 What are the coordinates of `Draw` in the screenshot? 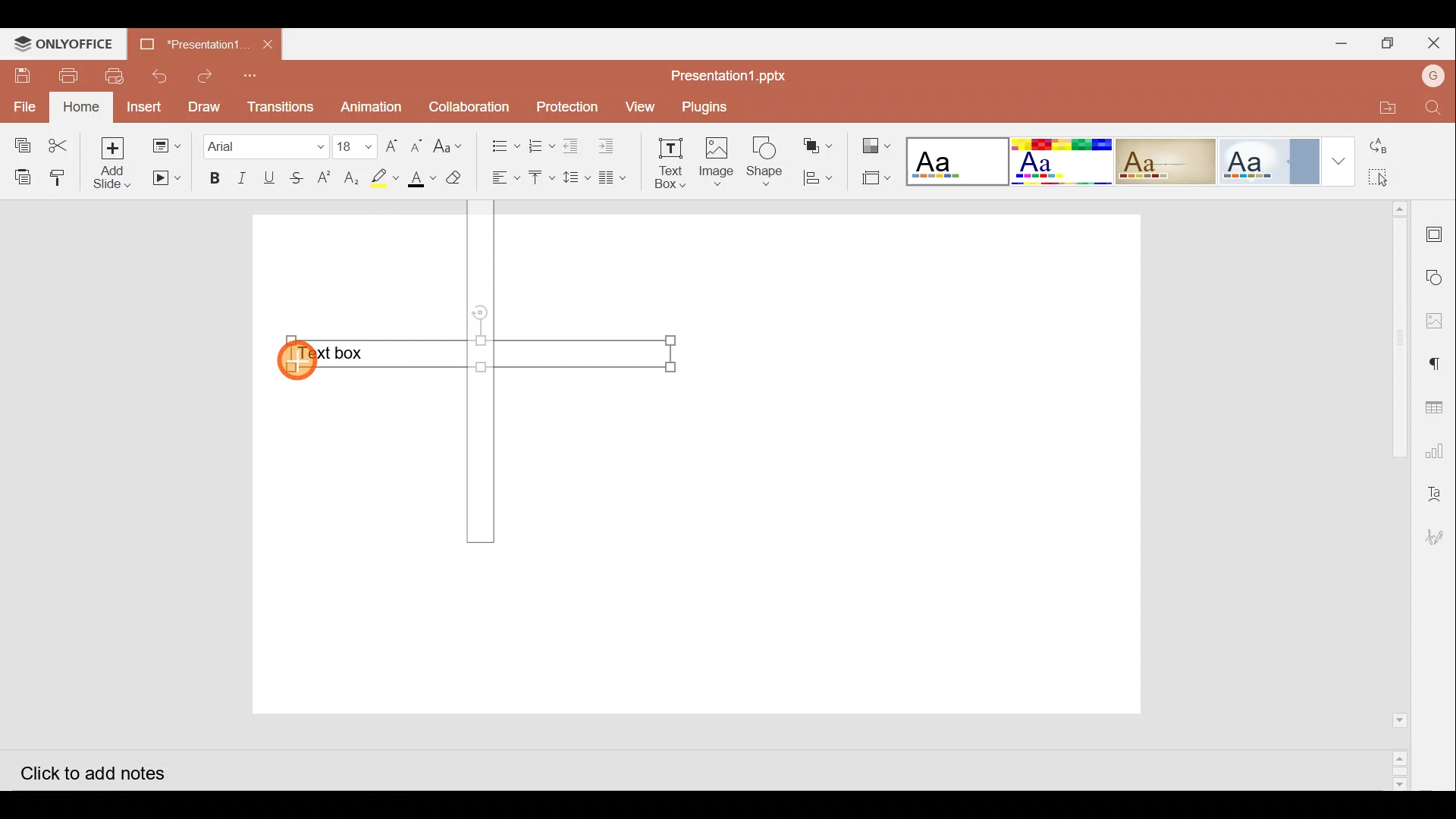 It's located at (203, 105).